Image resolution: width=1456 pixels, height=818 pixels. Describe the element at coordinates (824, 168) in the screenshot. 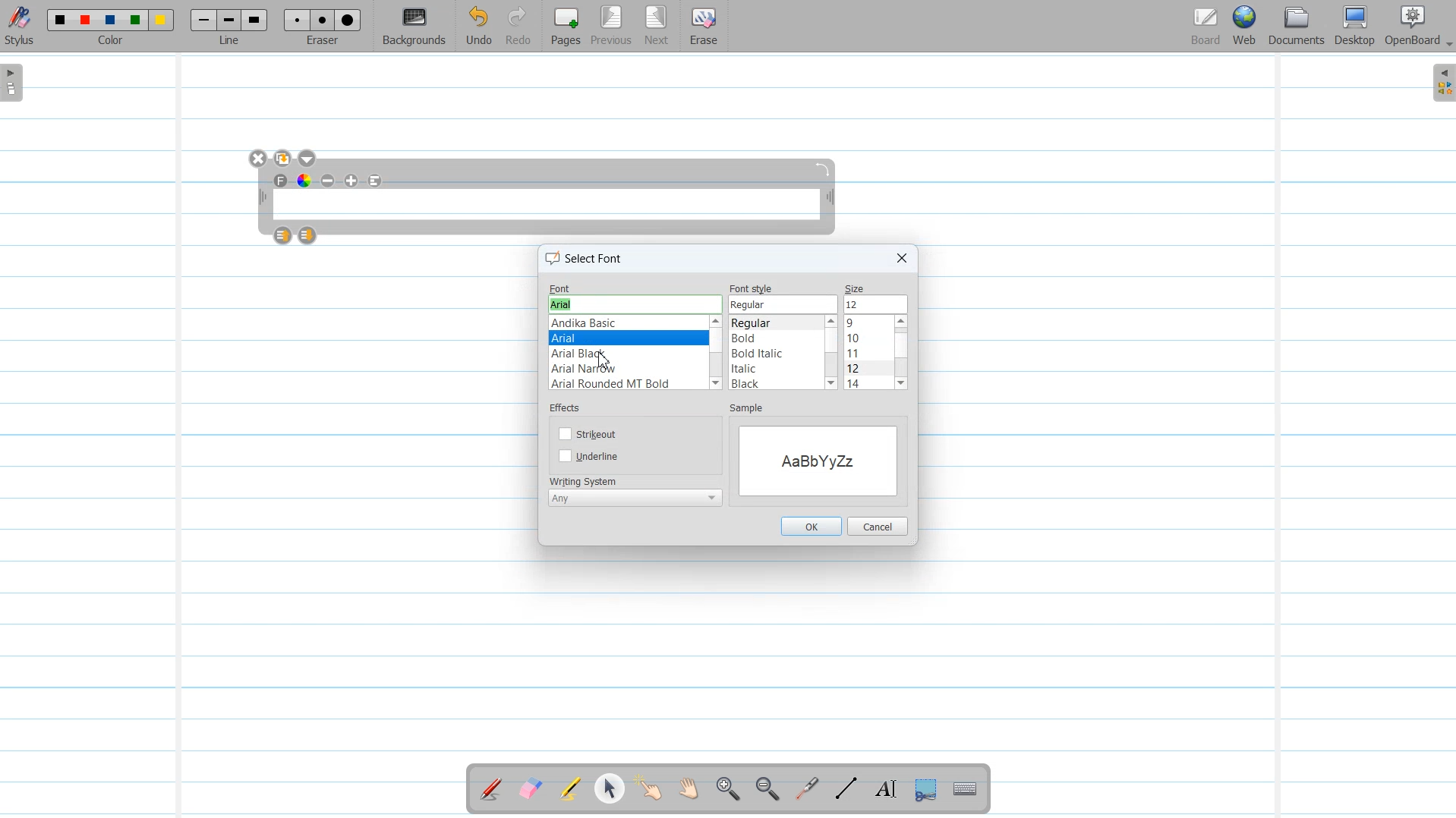

I see `Rotate Text window` at that location.